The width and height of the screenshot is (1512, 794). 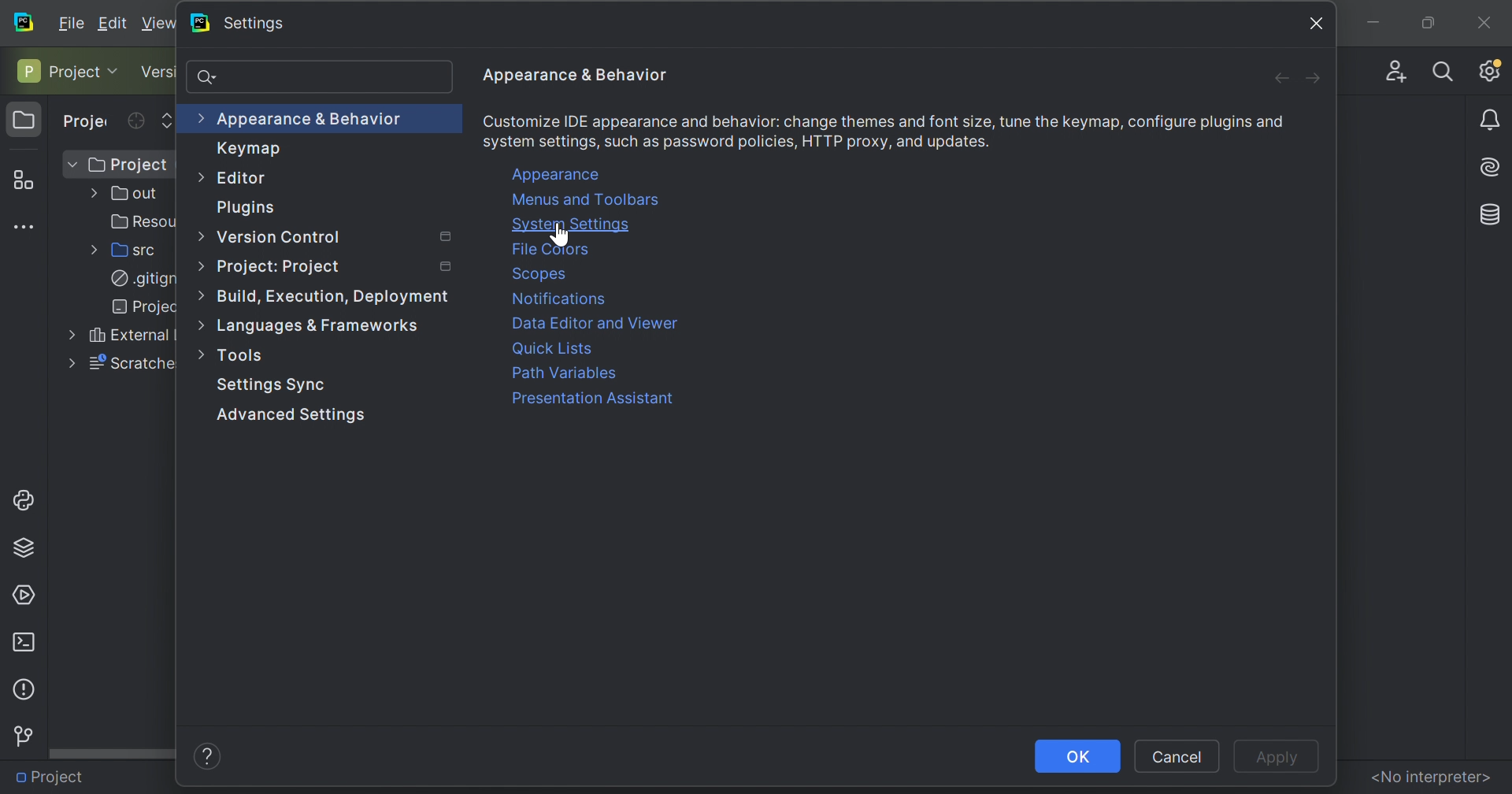 I want to click on More, so click(x=90, y=195).